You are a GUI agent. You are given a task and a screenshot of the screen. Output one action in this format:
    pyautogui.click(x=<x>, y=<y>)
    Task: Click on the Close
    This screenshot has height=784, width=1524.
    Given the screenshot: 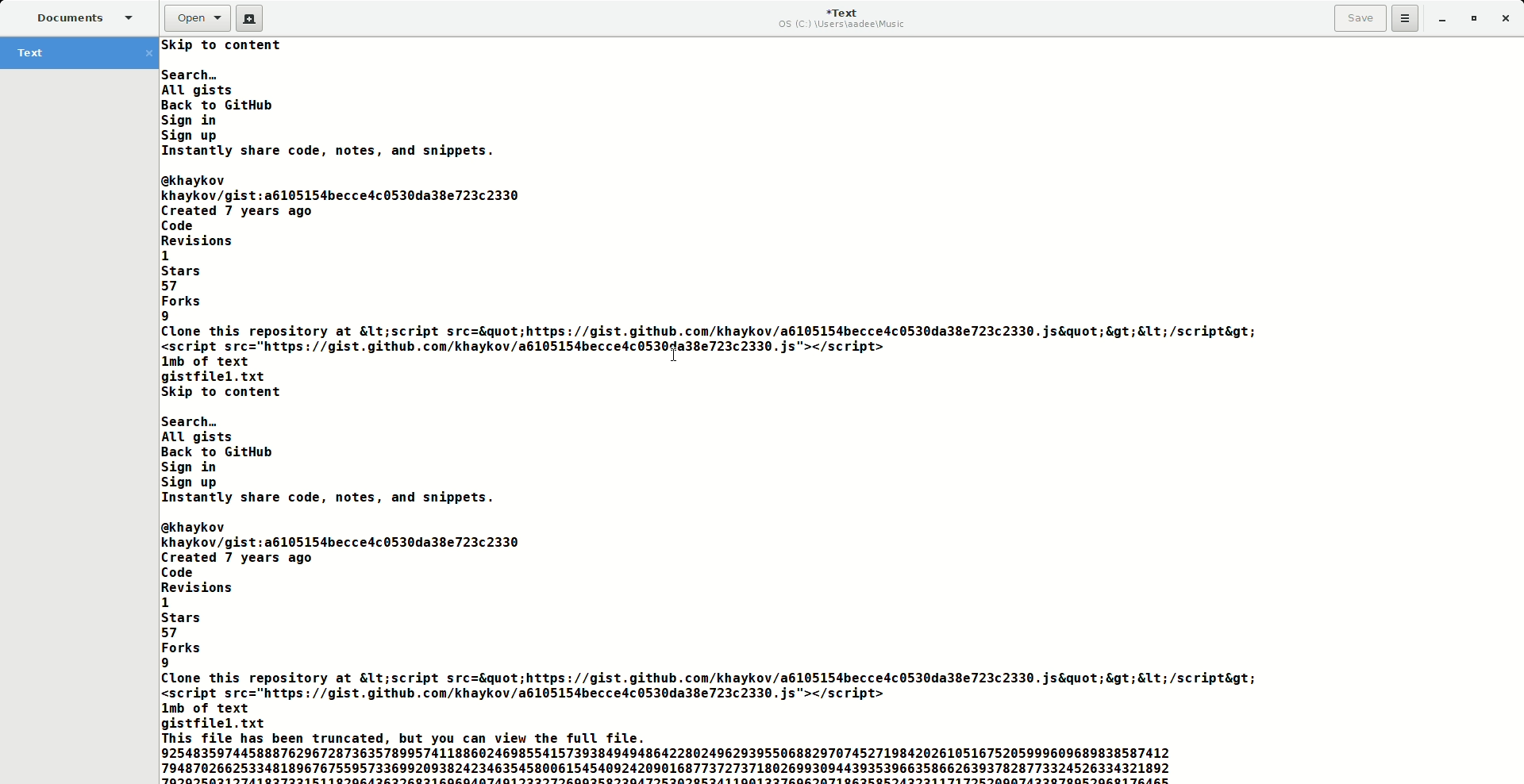 What is the action you would take?
    pyautogui.click(x=1506, y=20)
    